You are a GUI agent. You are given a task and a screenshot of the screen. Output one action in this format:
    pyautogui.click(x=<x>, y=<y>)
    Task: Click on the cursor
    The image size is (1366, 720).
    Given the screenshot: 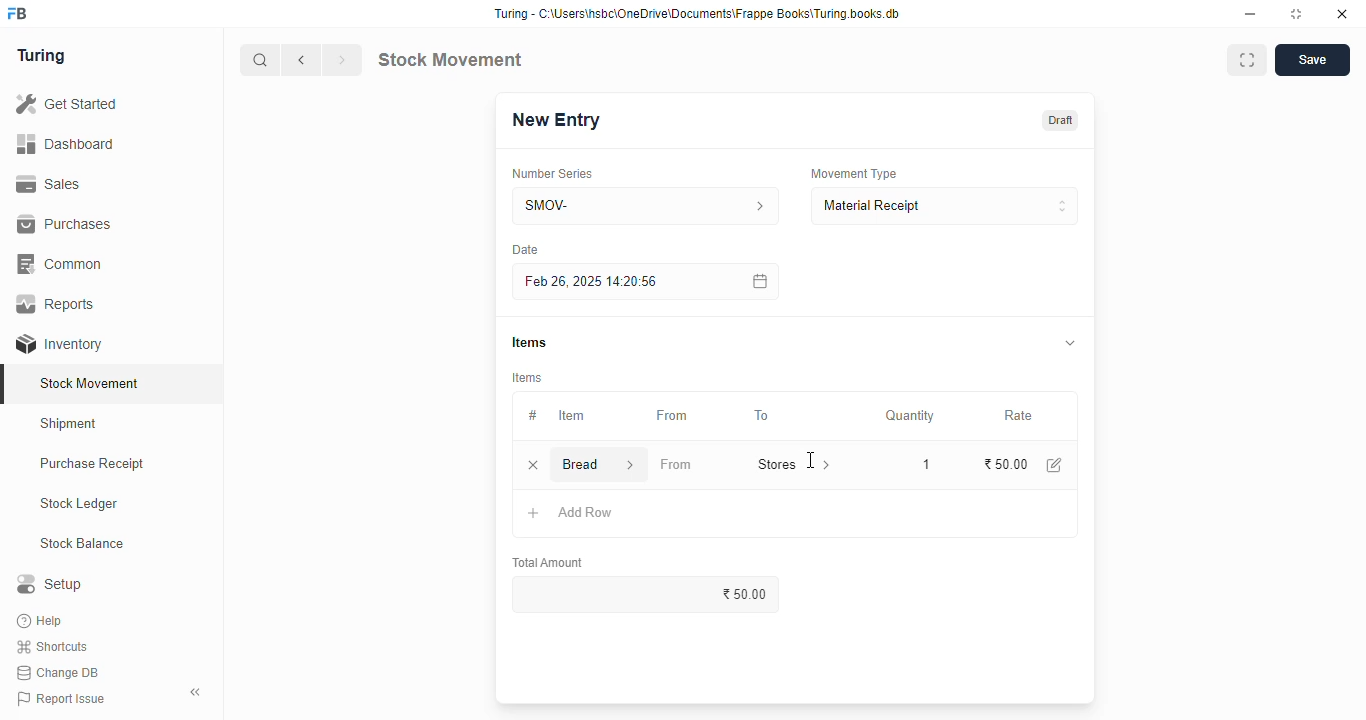 What is the action you would take?
    pyautogui.click(x=811, y=460)
    